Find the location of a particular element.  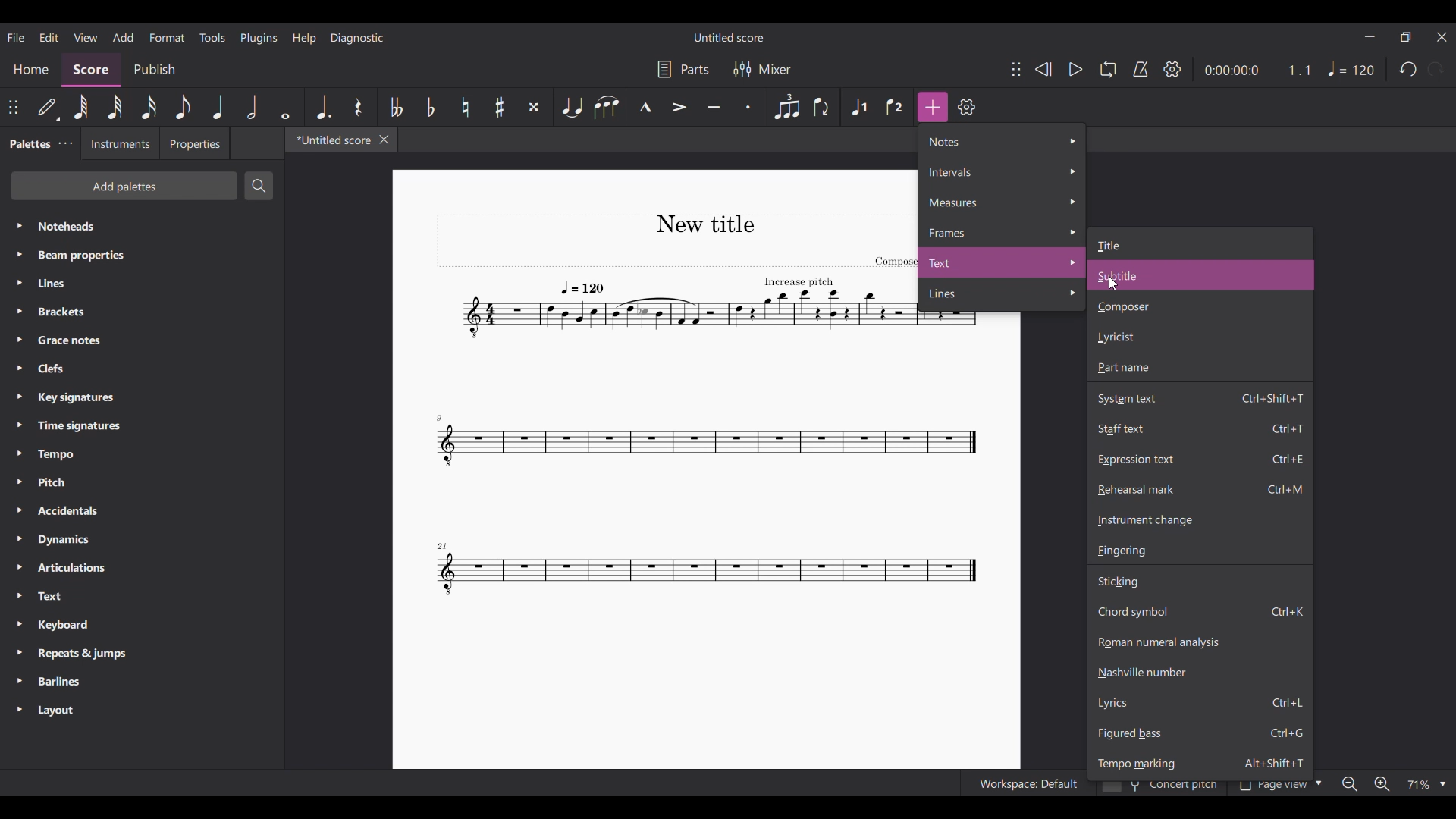

Staccato is located at coordinates (748, 107).